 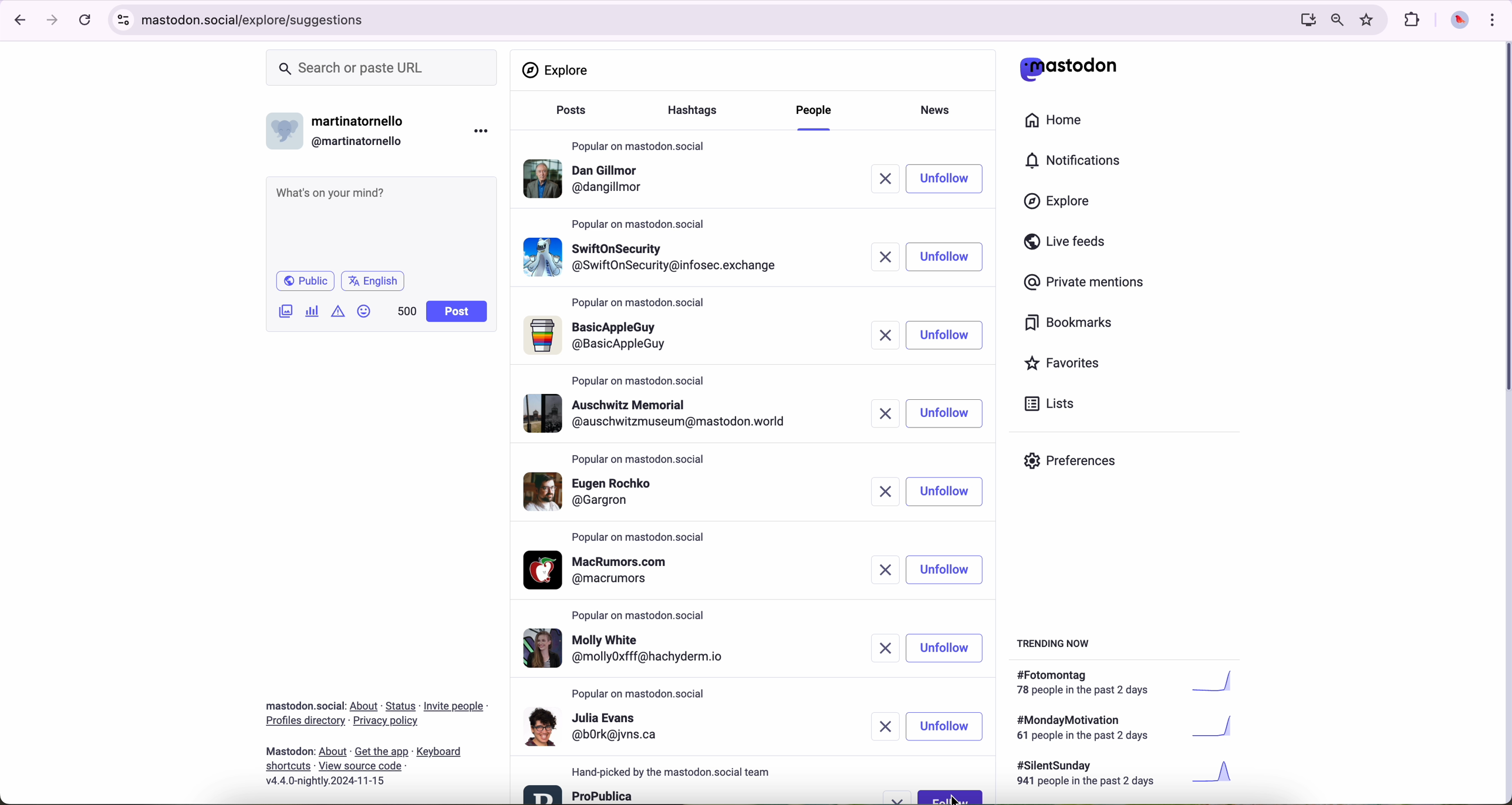 I want to click on charts, so click(x=315, y=311).